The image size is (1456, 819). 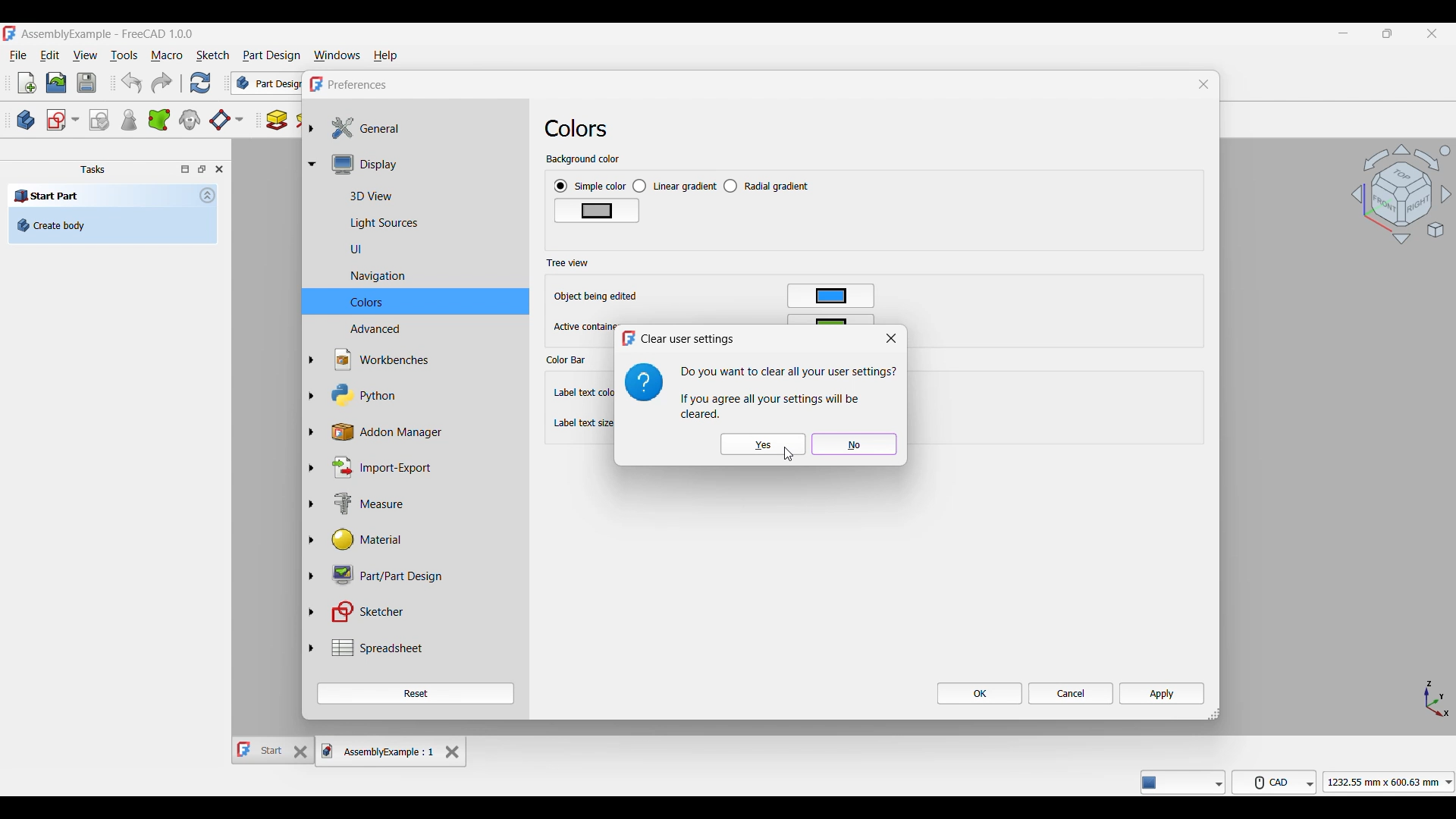 I want to click on Macro menu , so click(x=166, y=55).